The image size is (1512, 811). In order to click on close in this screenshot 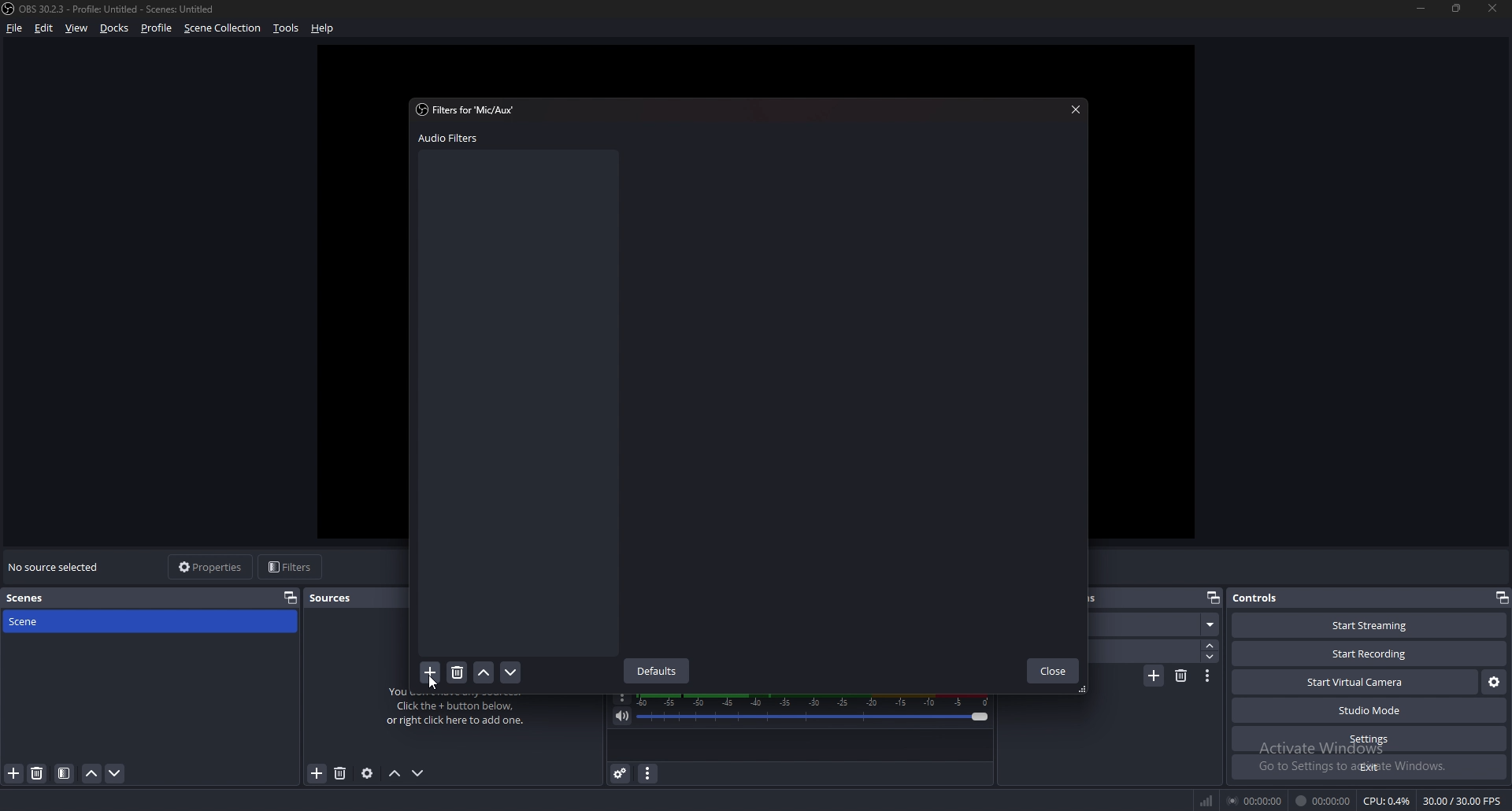, I will do `click(1053, 671)`.